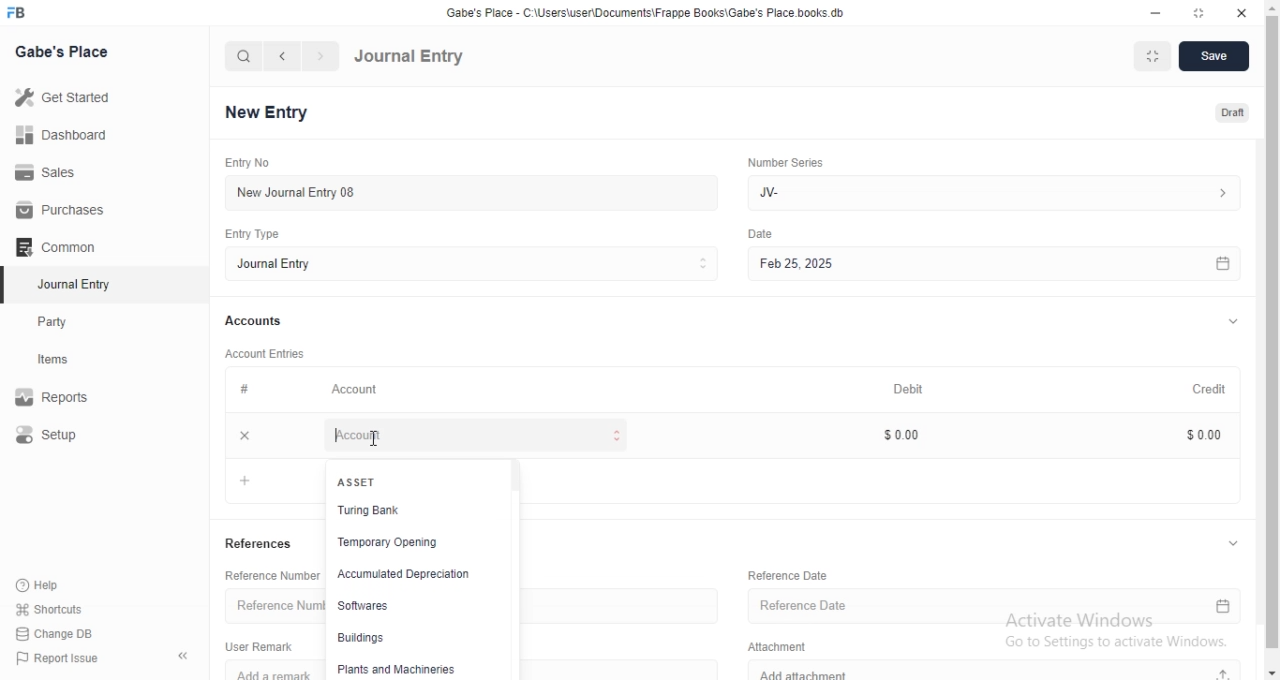  I want to click on Feb 25, 2025, so click(1003, 263).